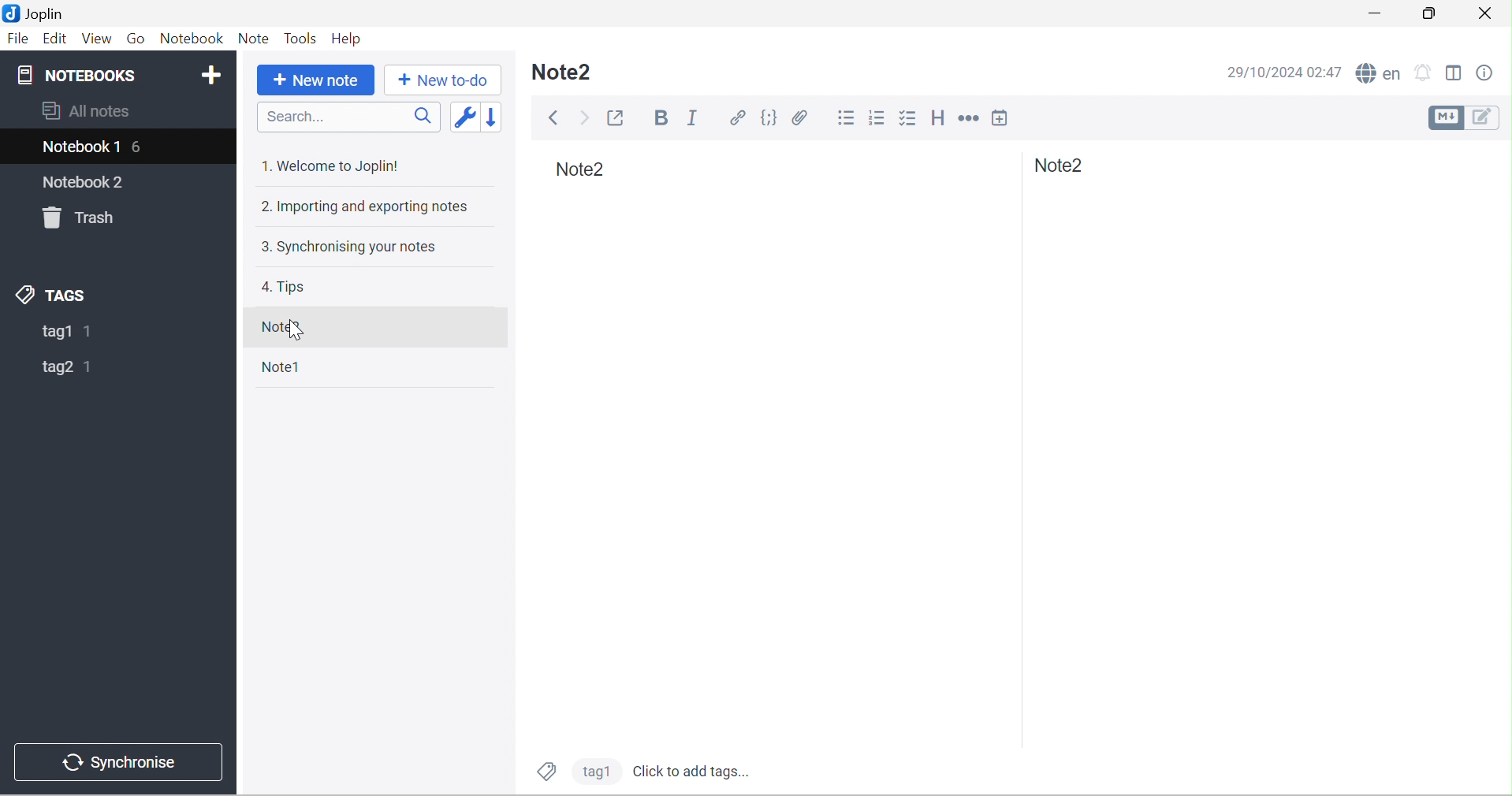  What do you see at coordinates (348, 251) in the screenshot?
I see `3. Synchronising your notes` at bounding box center [348, 251].